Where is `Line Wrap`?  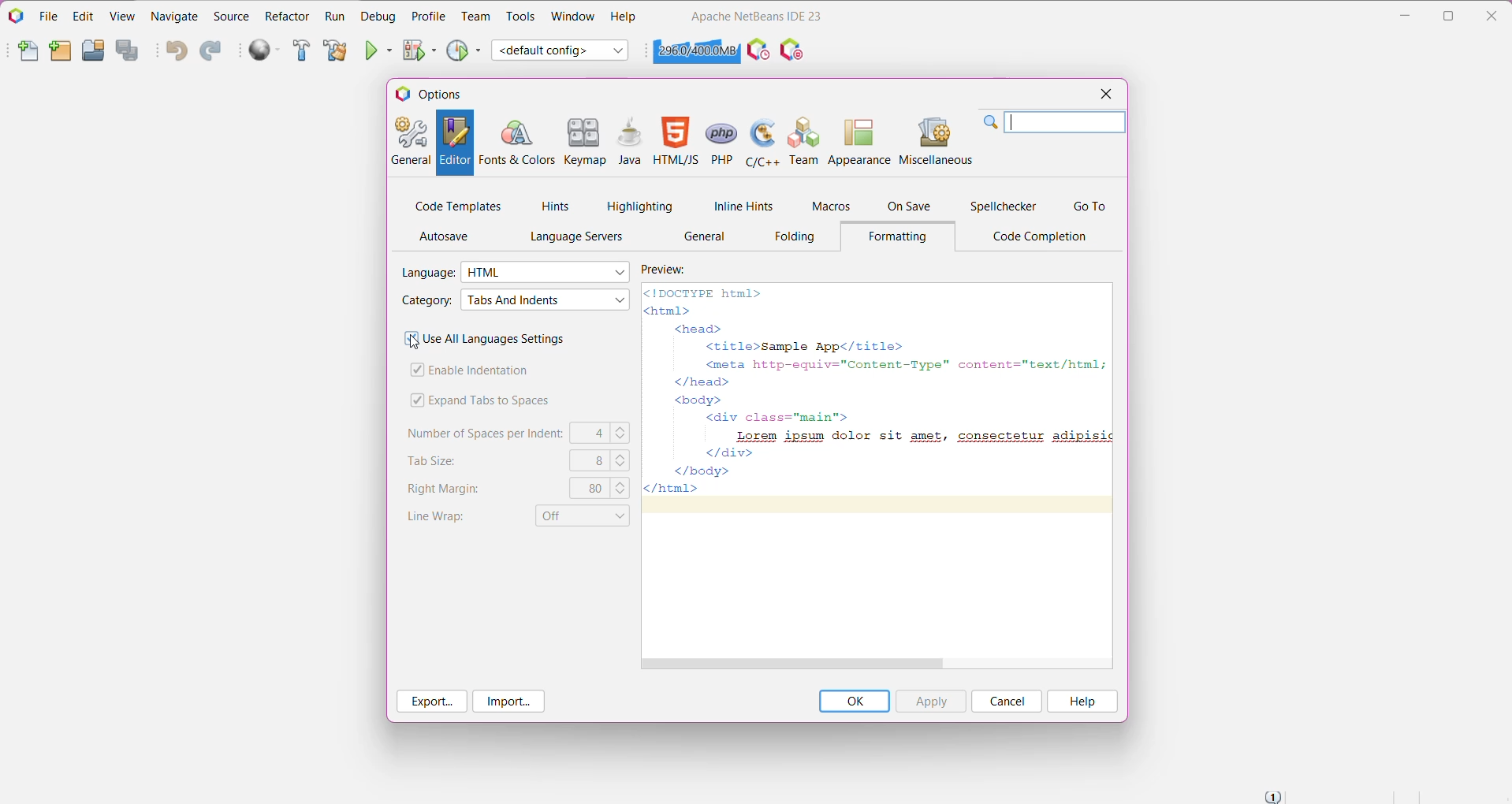
Line Wrap is located at coordinates (444, 518).